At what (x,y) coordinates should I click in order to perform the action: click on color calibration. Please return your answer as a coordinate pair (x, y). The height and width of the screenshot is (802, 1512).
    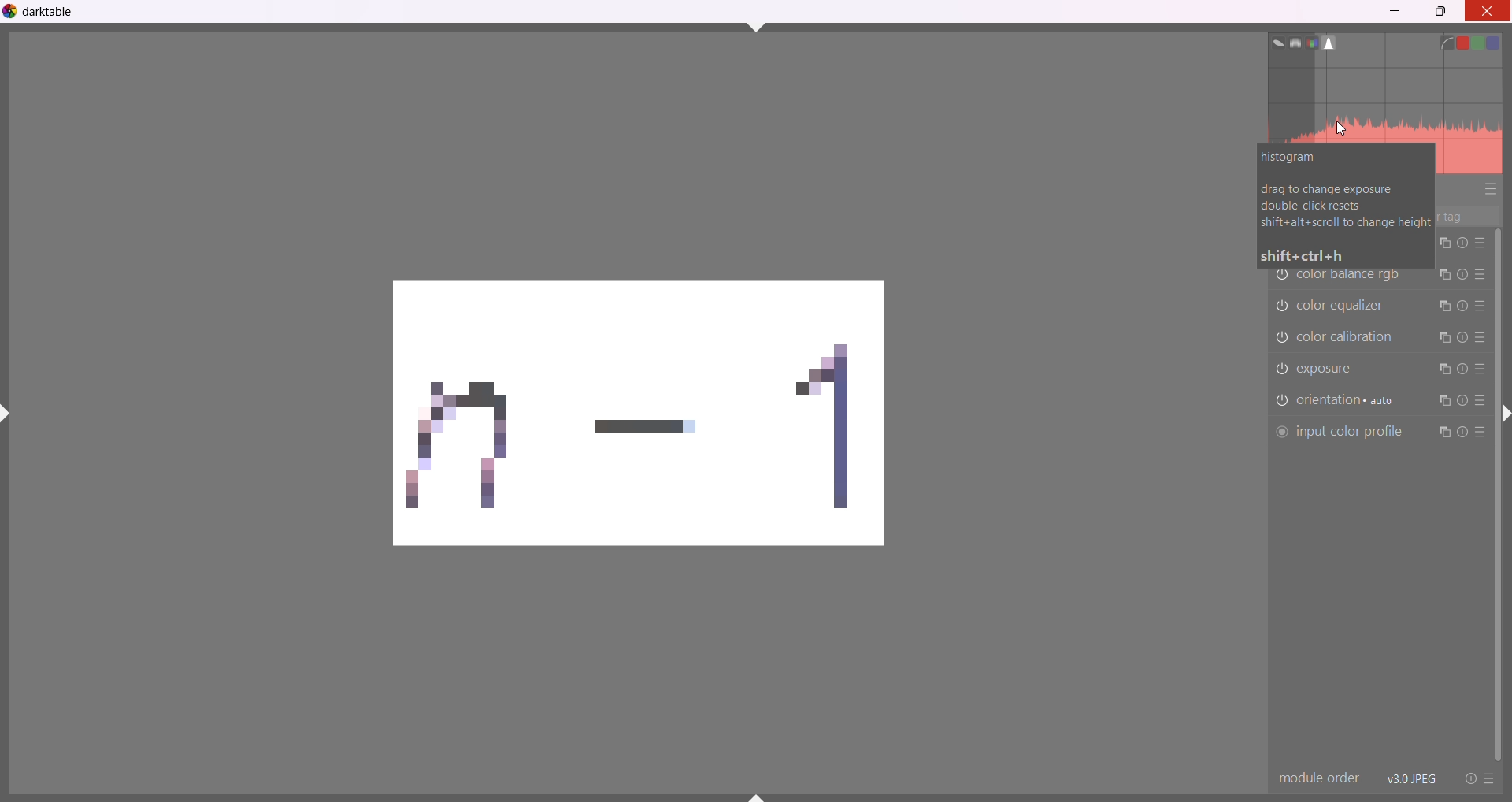
    Looking at the image, I should click on (1353, 336).